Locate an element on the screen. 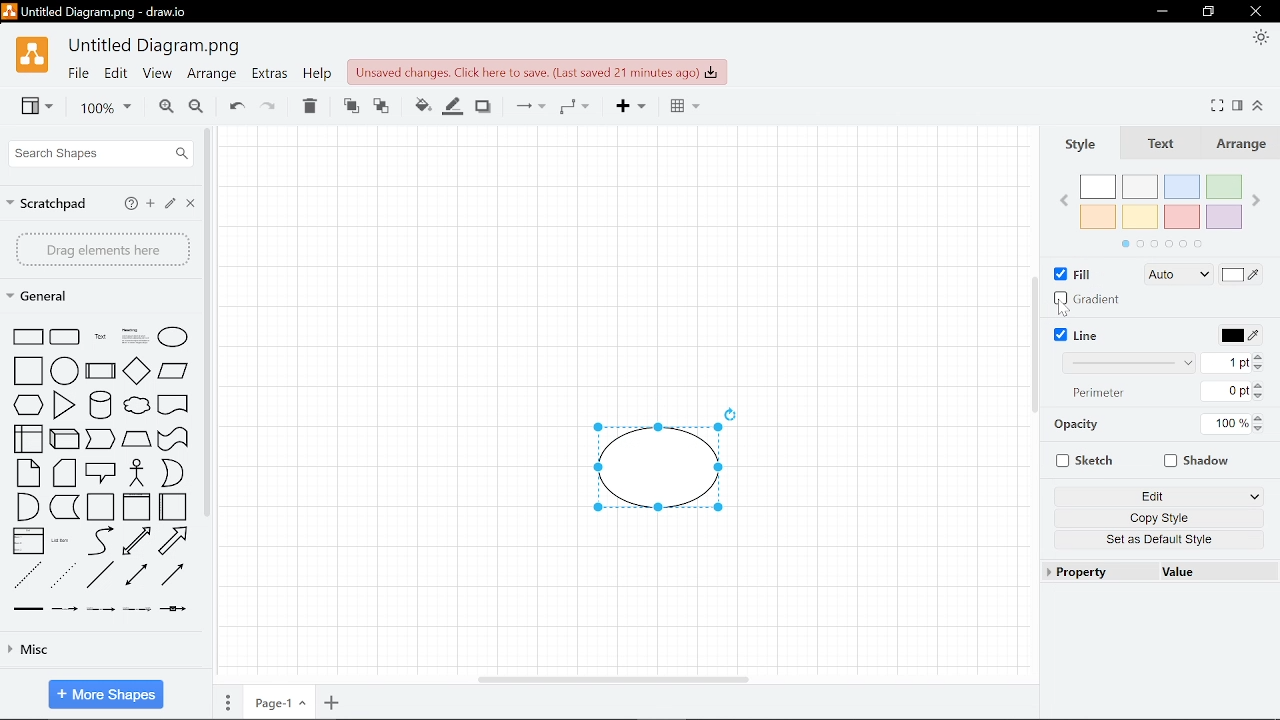 The height and width of the screenshot is (720, 1280). Close is located at coordinates (1255, 12).